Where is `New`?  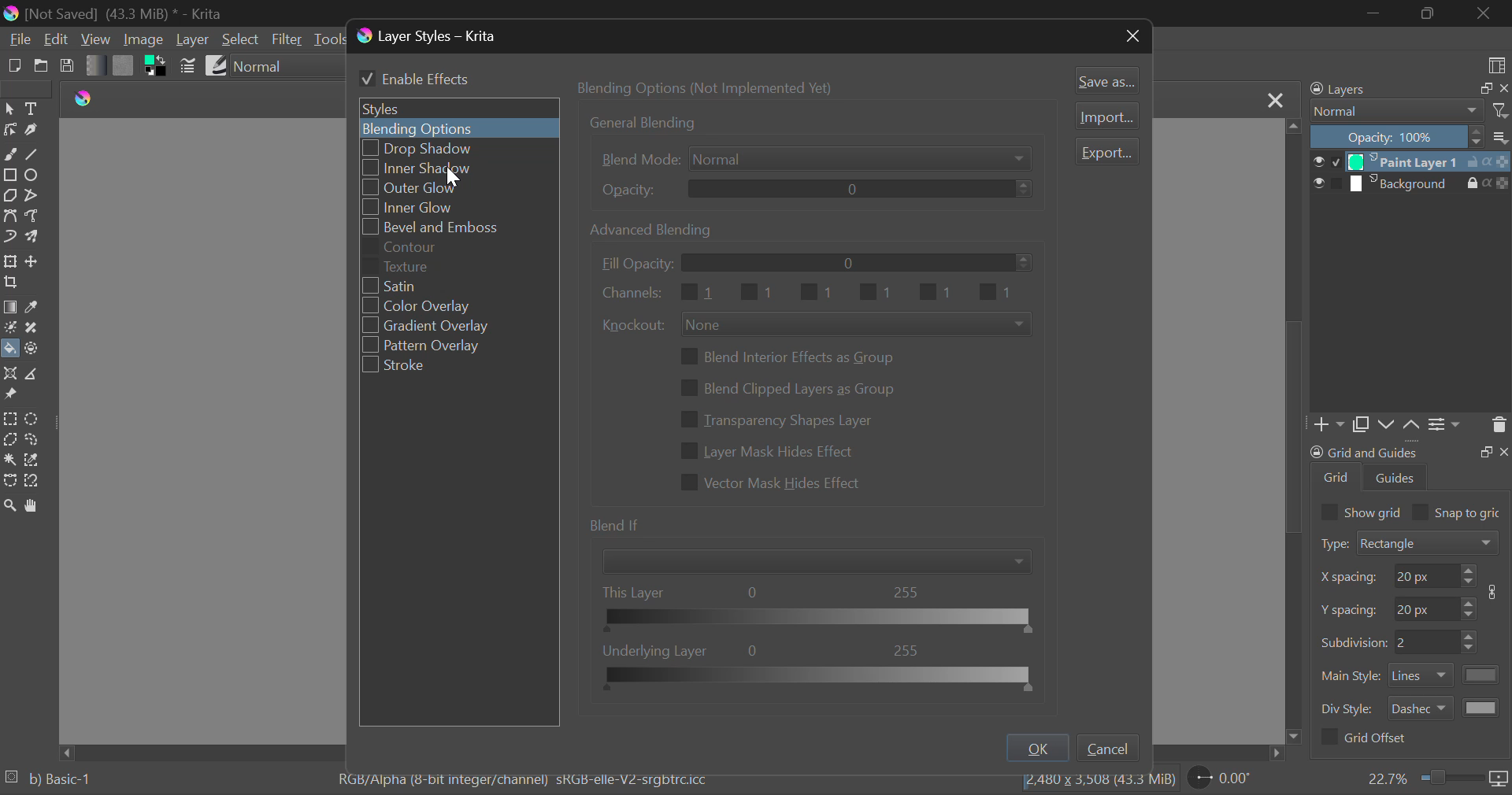
New is located at coordinates (14, 66).